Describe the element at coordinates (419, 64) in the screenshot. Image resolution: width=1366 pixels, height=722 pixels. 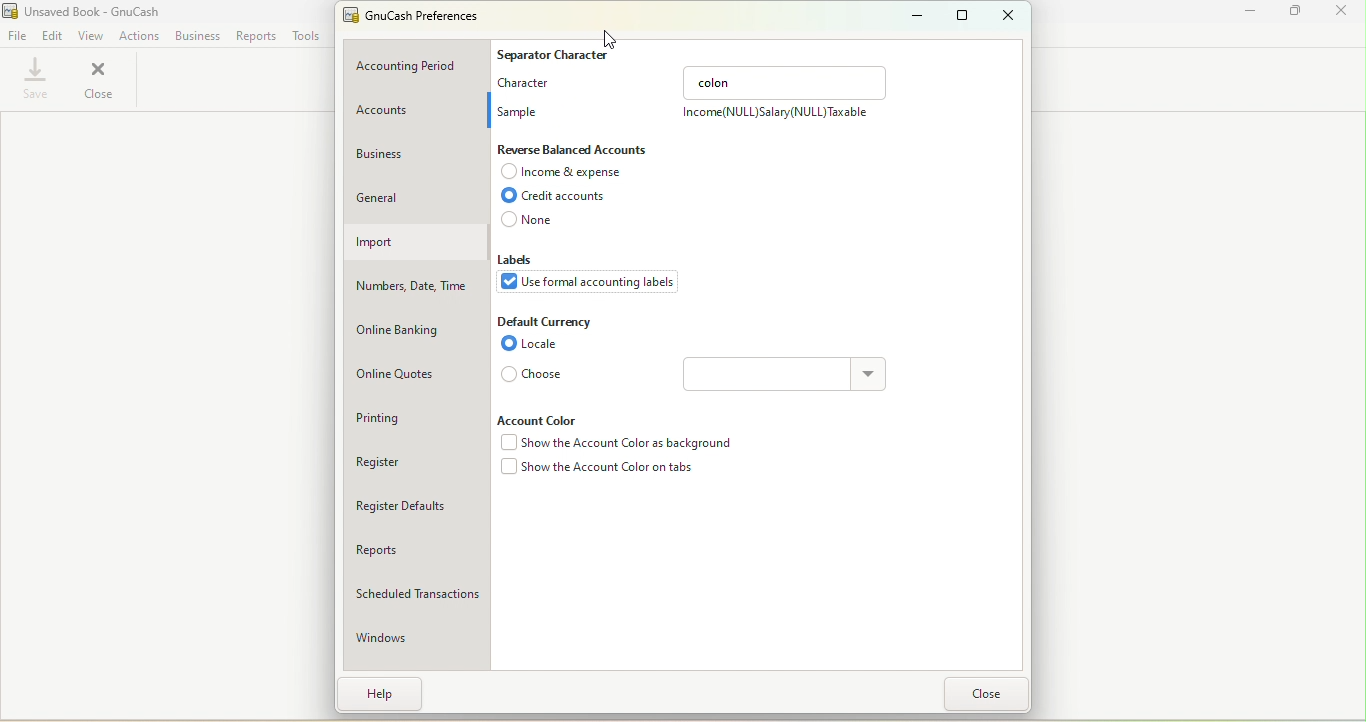
I see `Accounting period` at that location.